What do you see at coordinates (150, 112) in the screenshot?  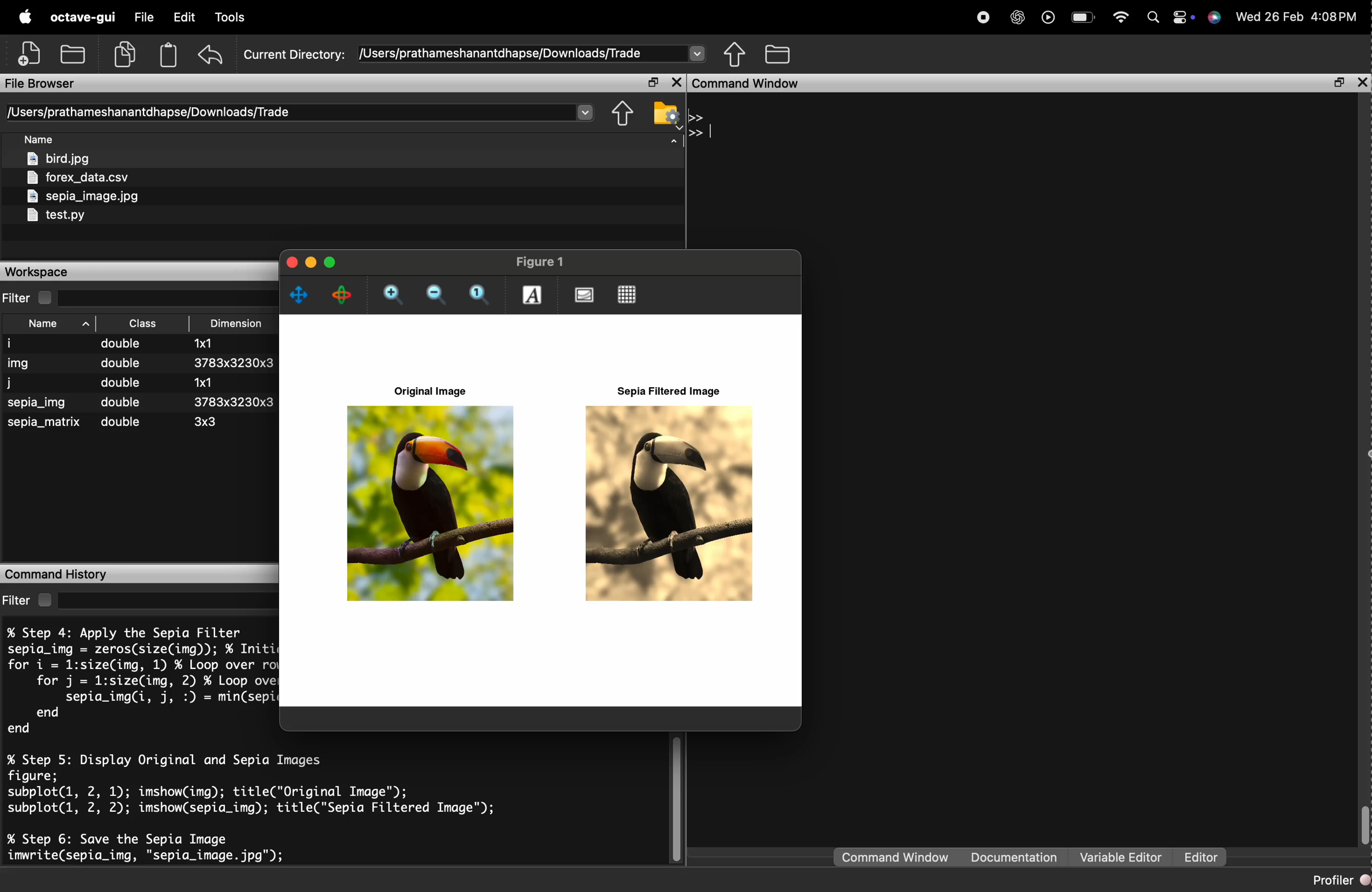 I see `/Users/prathameshanantdhapse/Downloads/Trade` at bounding box center [150, 112].